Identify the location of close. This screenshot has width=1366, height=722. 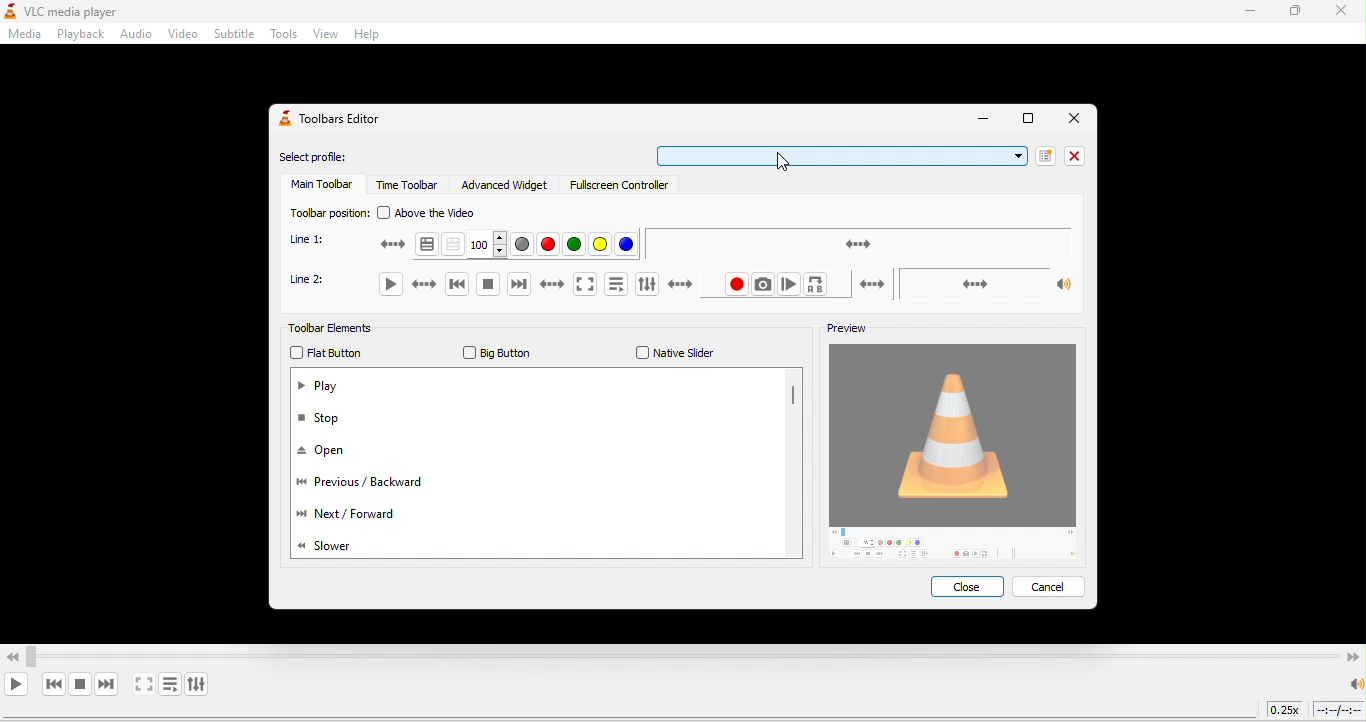
(1074, 155).